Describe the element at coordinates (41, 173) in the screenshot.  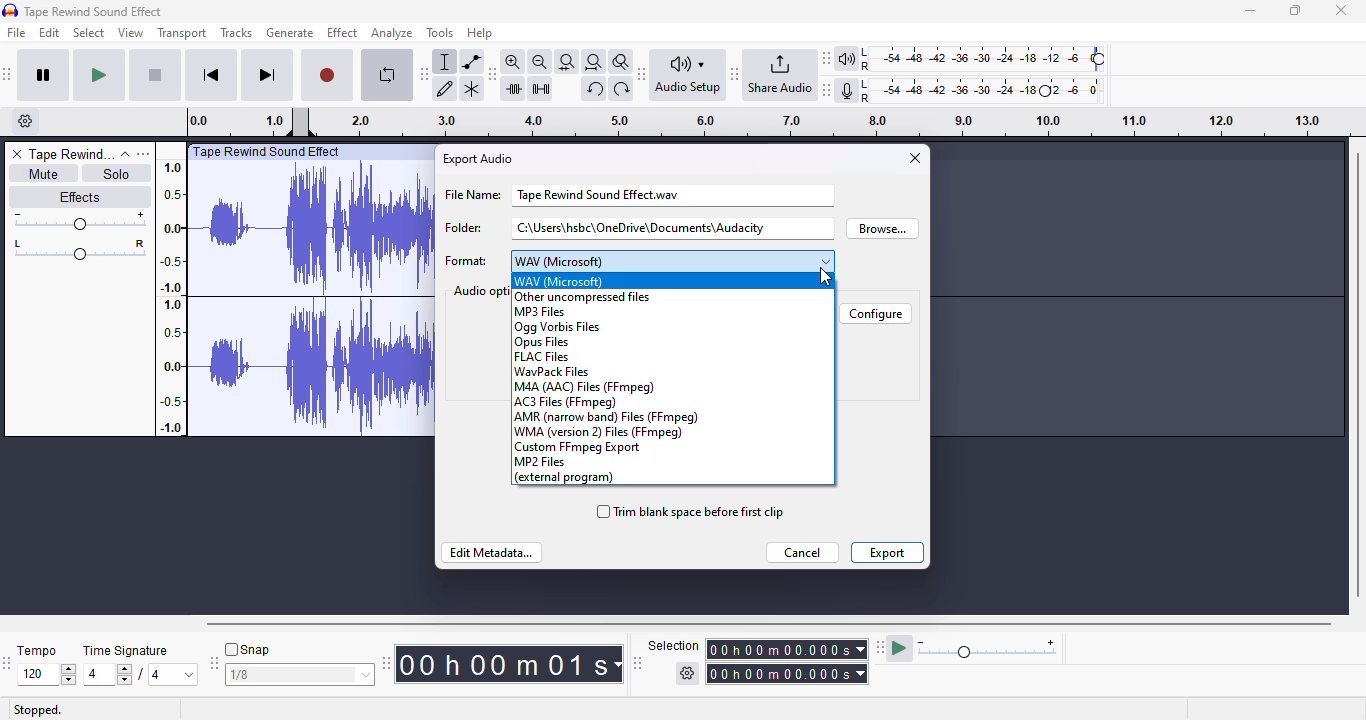
I see `mute` at that location.